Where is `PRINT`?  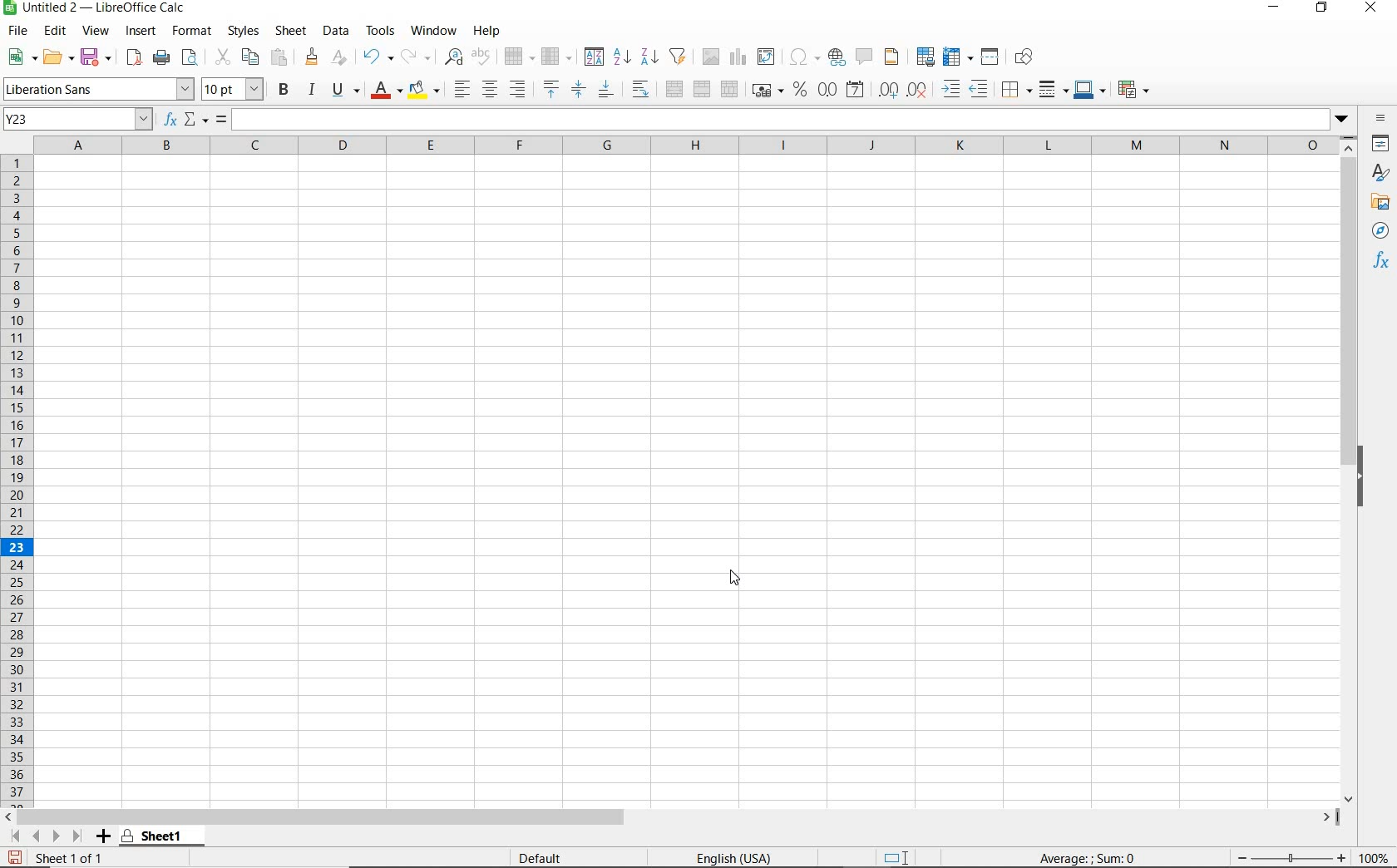
PRINT is located at coordinates (161, 58).